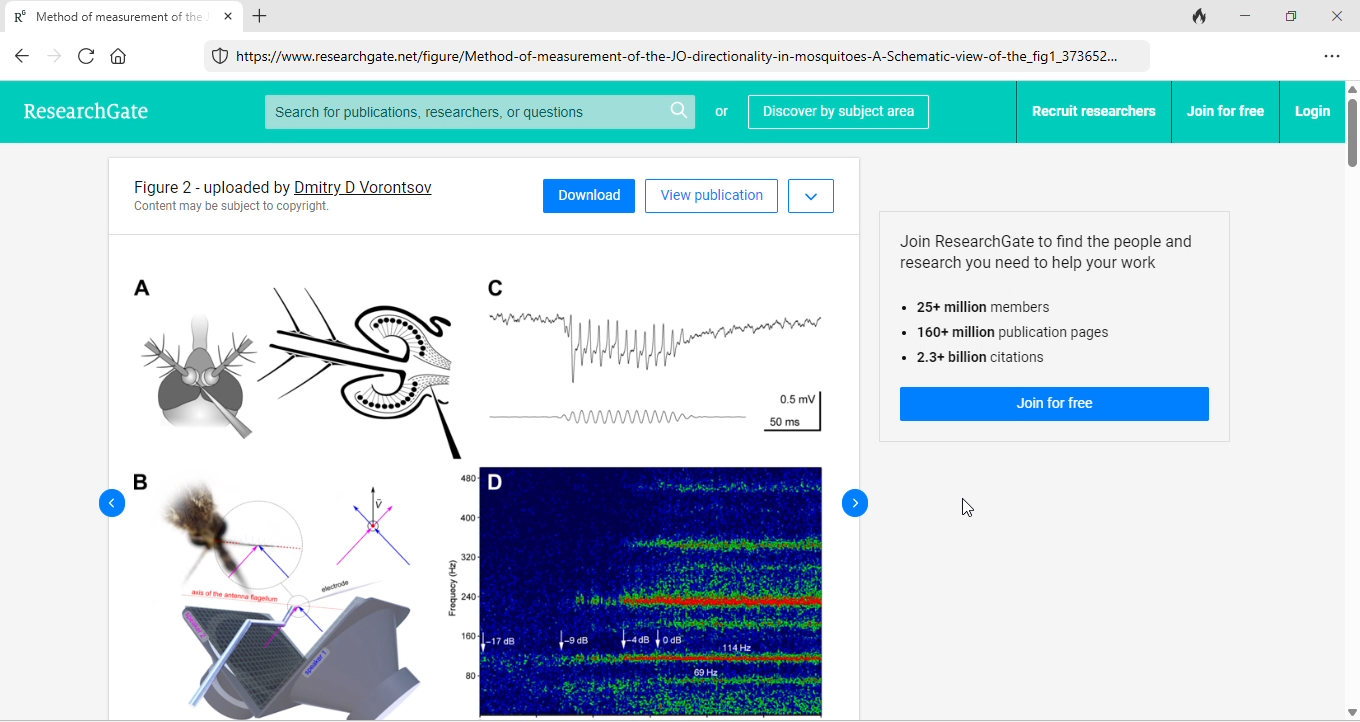 Image resolution: width=1360 pixels, height=722 pixels. Describe the element at coordinates (1057, 405) in the screenshot. I see `Join for free` at that location.